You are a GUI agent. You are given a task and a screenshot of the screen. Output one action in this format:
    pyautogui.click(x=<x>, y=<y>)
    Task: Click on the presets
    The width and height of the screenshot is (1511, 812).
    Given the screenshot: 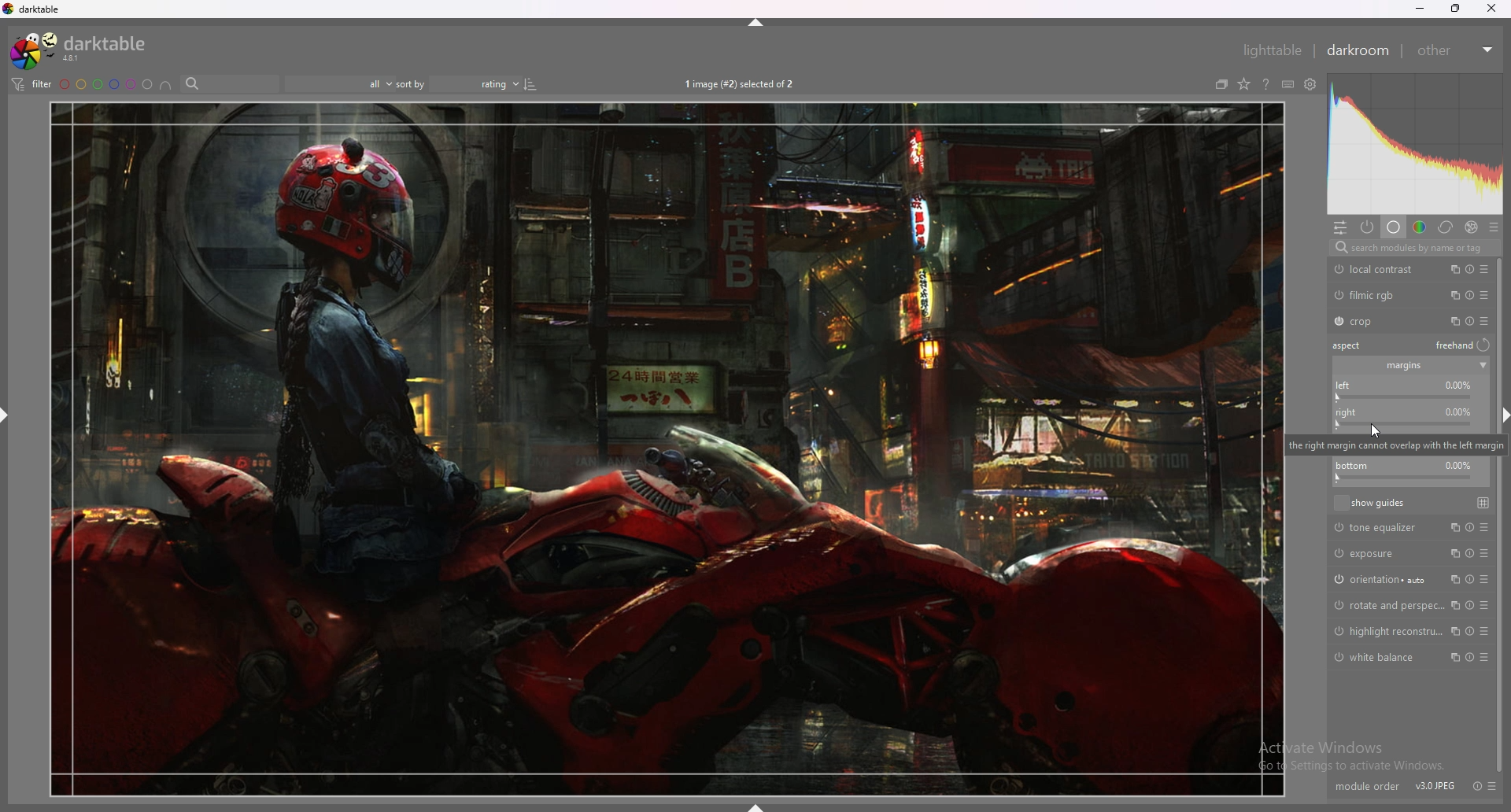 What is the action you would take?
    pyautogui.click(x=1484, y=320)
    